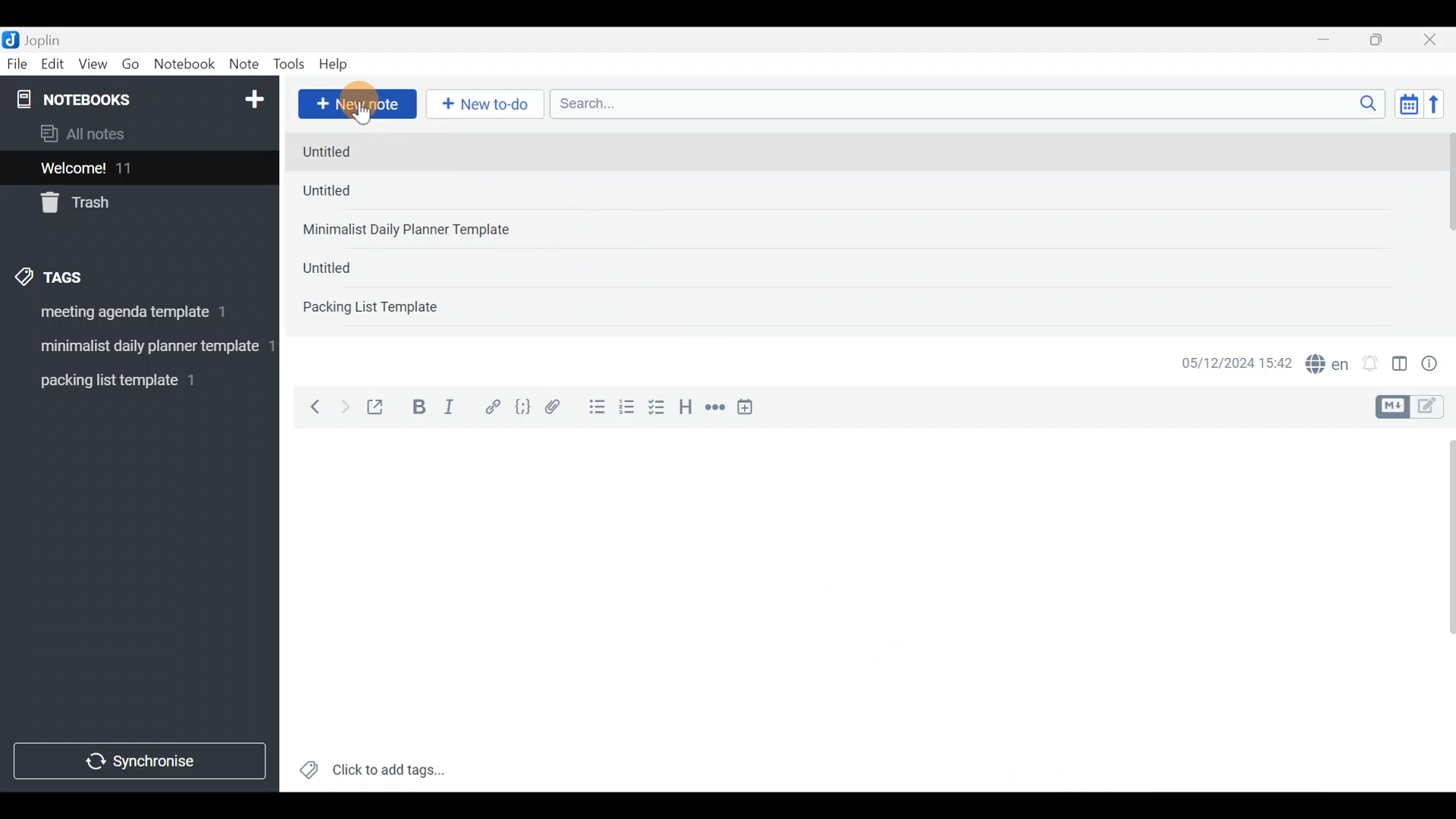  Describe the element at coordinates (715, 409) in the screenshot. I see `Horizontal rule` at that location.